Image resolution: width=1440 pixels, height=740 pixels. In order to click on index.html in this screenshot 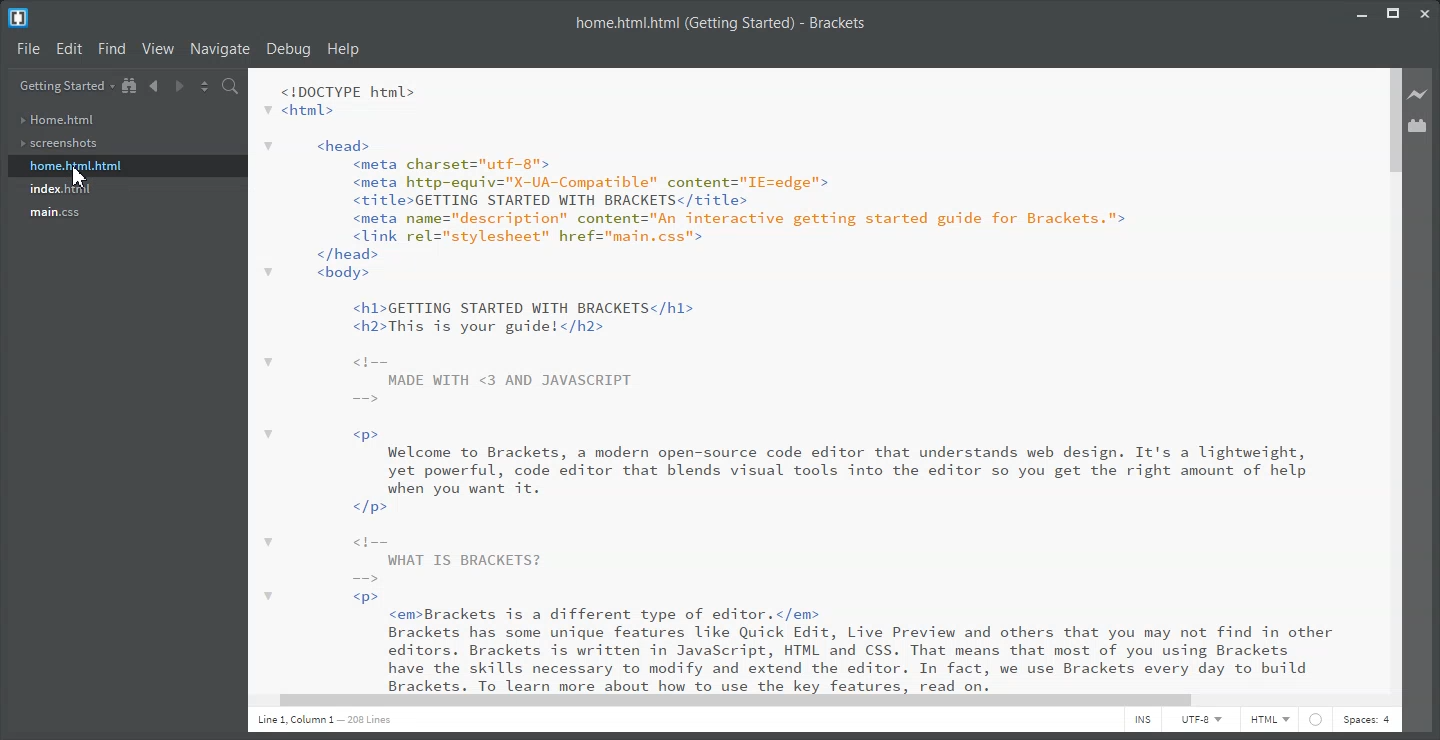, I will do `click(60, 190)`.